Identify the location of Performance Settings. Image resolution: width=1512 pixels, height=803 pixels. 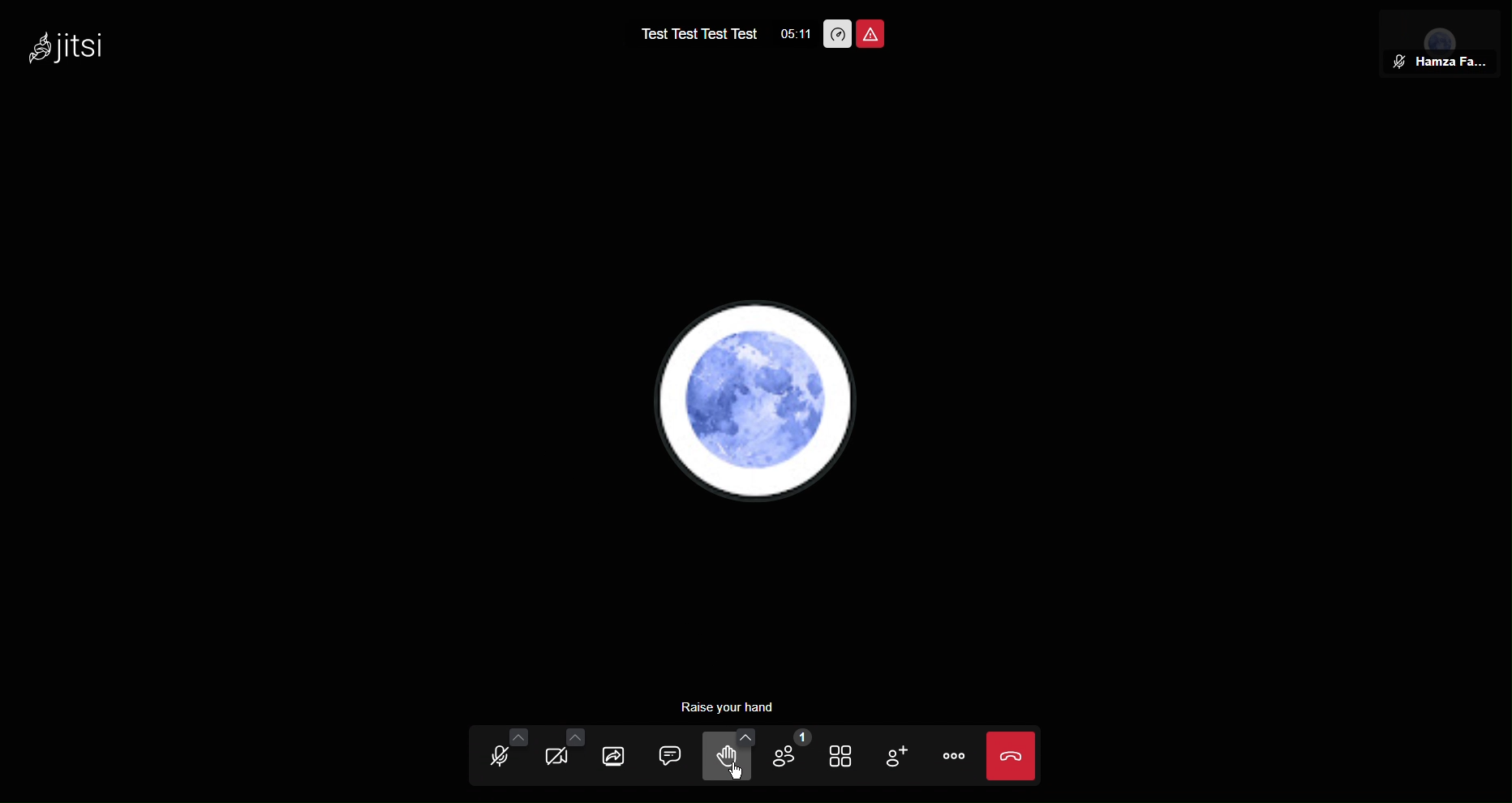
(837, 34).